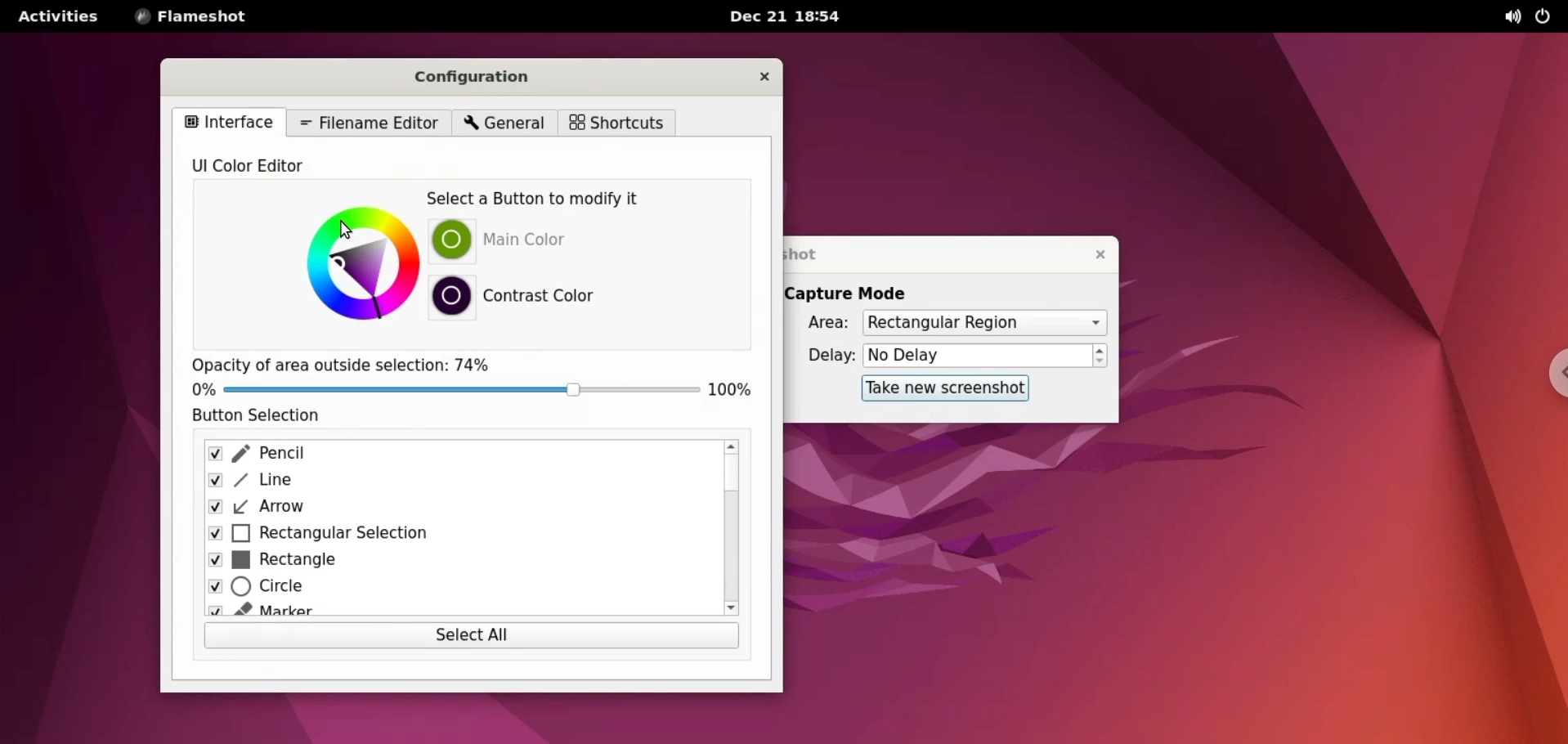 Image resolution: width=1568 pixels, height=744 pixels. I want to click on flameshot options, so click(191, 17).